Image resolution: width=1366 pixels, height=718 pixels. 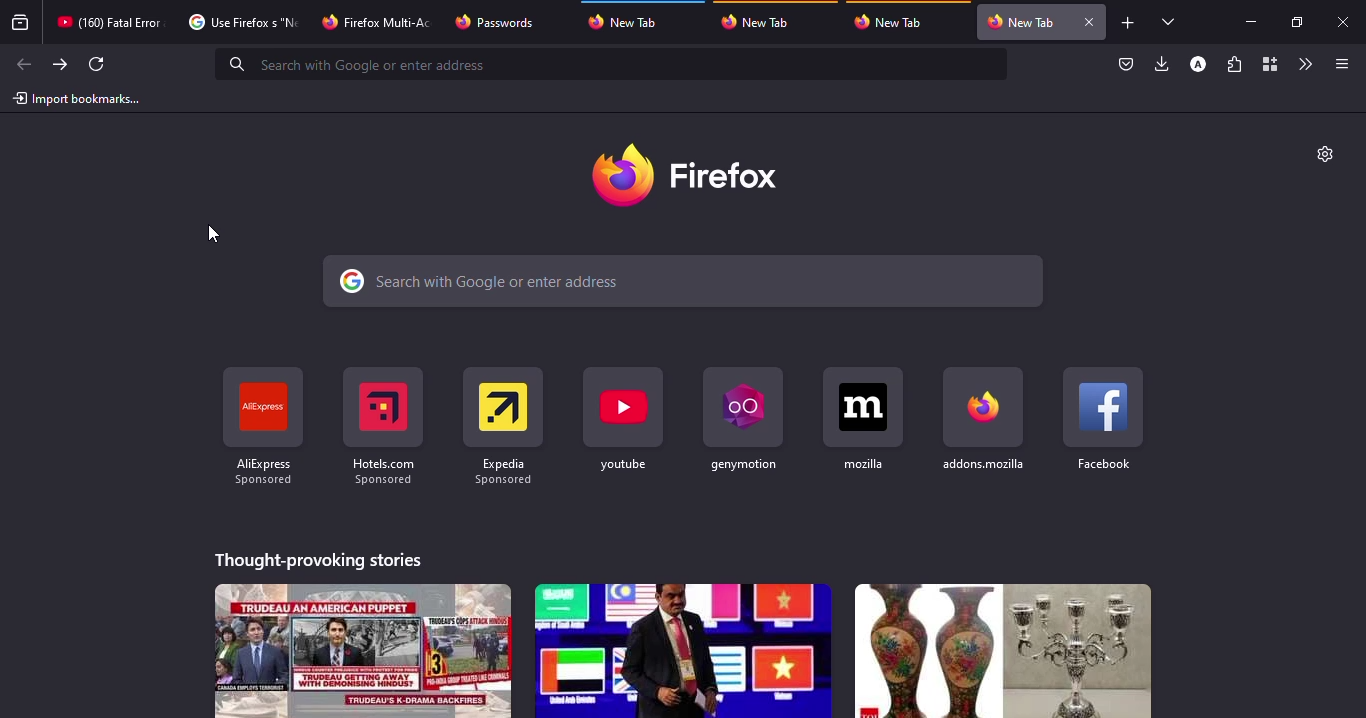 I want to click on containers, so click(x=1267, y=63).